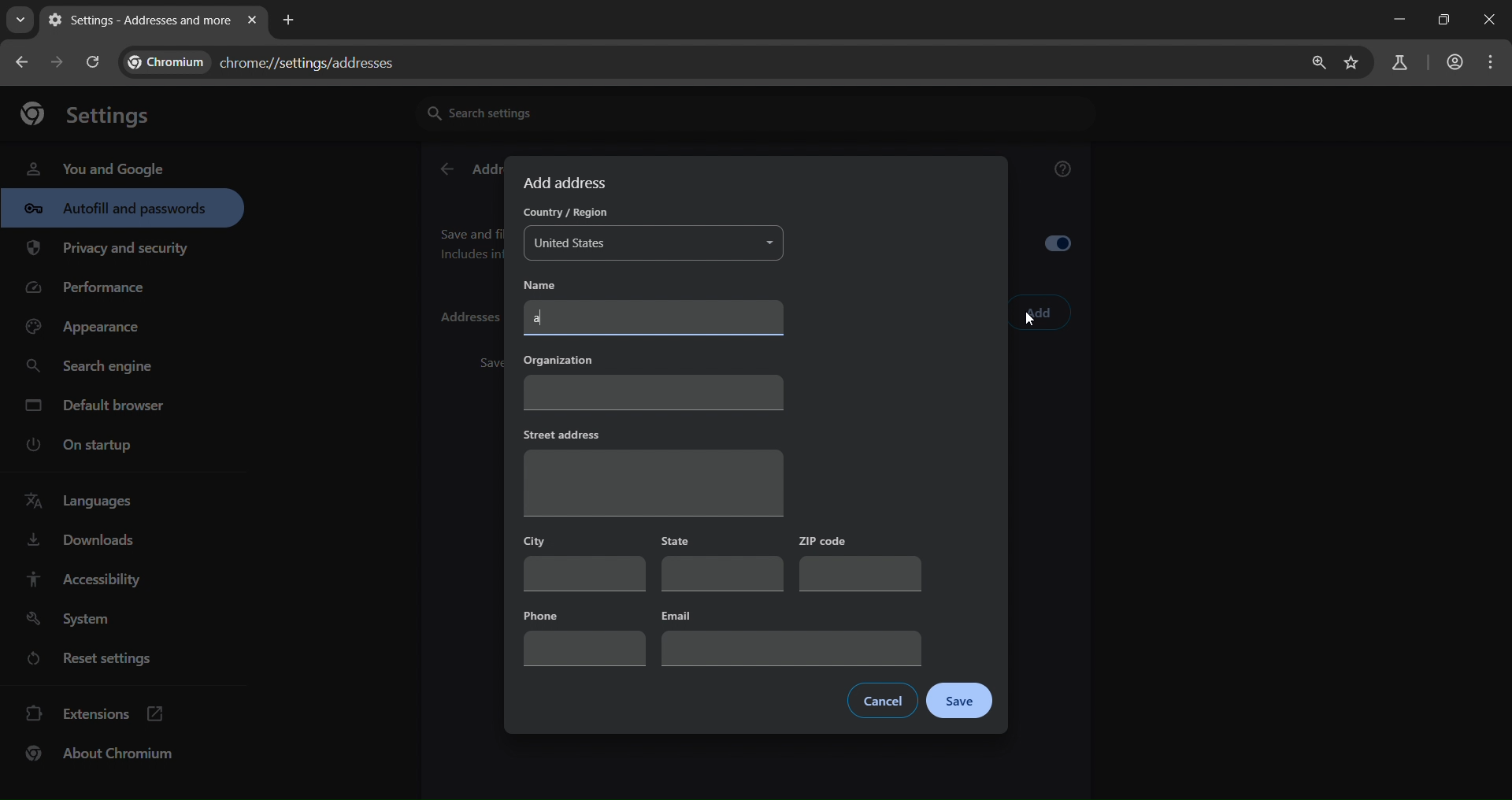 The height and width of the screenshot is (800, 1512). Describe the element at coordinates (136, 20) in the screenshot. I see `current page` at that location.